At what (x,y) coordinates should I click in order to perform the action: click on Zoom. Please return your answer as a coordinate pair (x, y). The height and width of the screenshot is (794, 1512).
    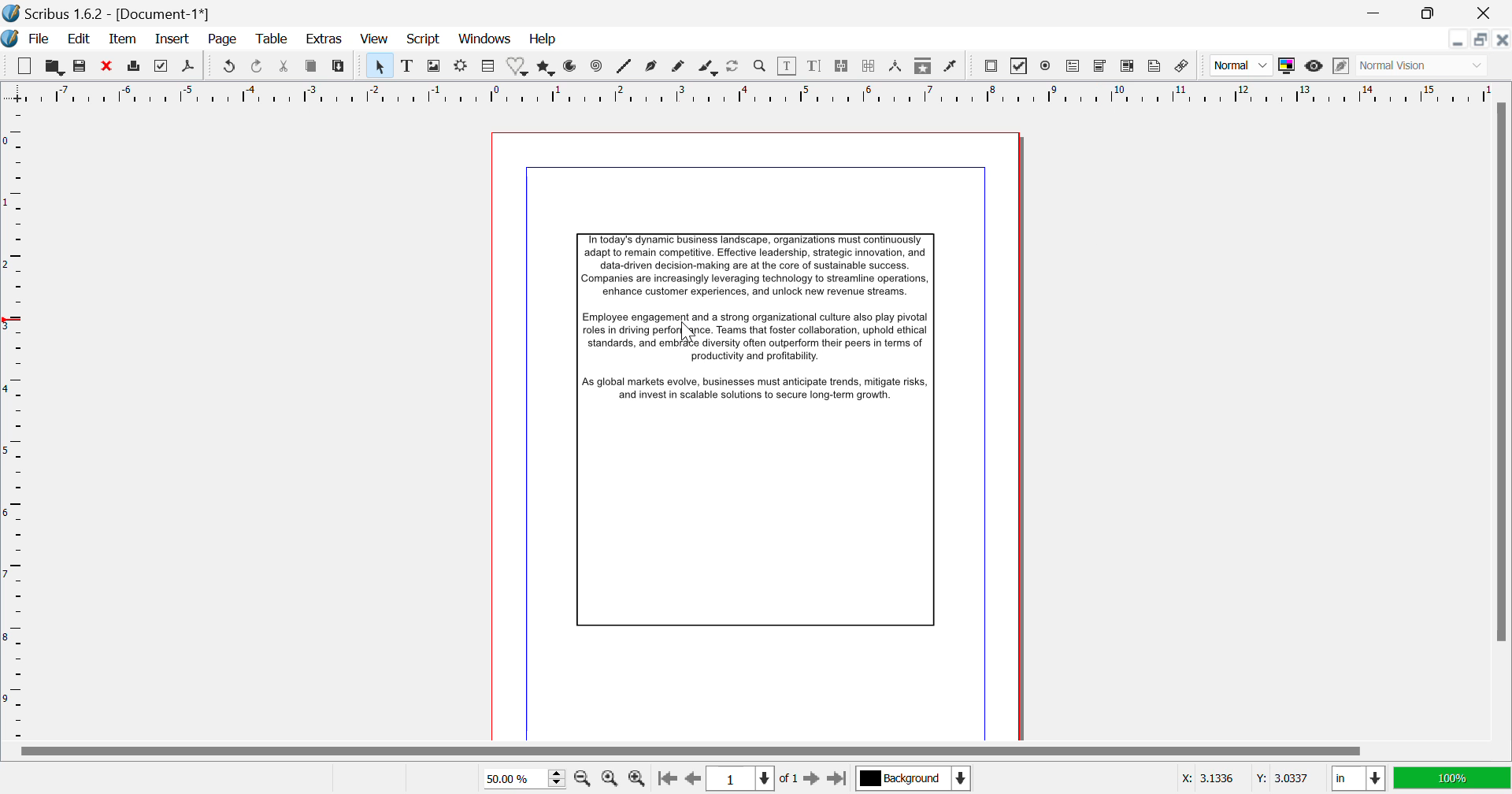
    Looking at the image, I should click on (760, 68).